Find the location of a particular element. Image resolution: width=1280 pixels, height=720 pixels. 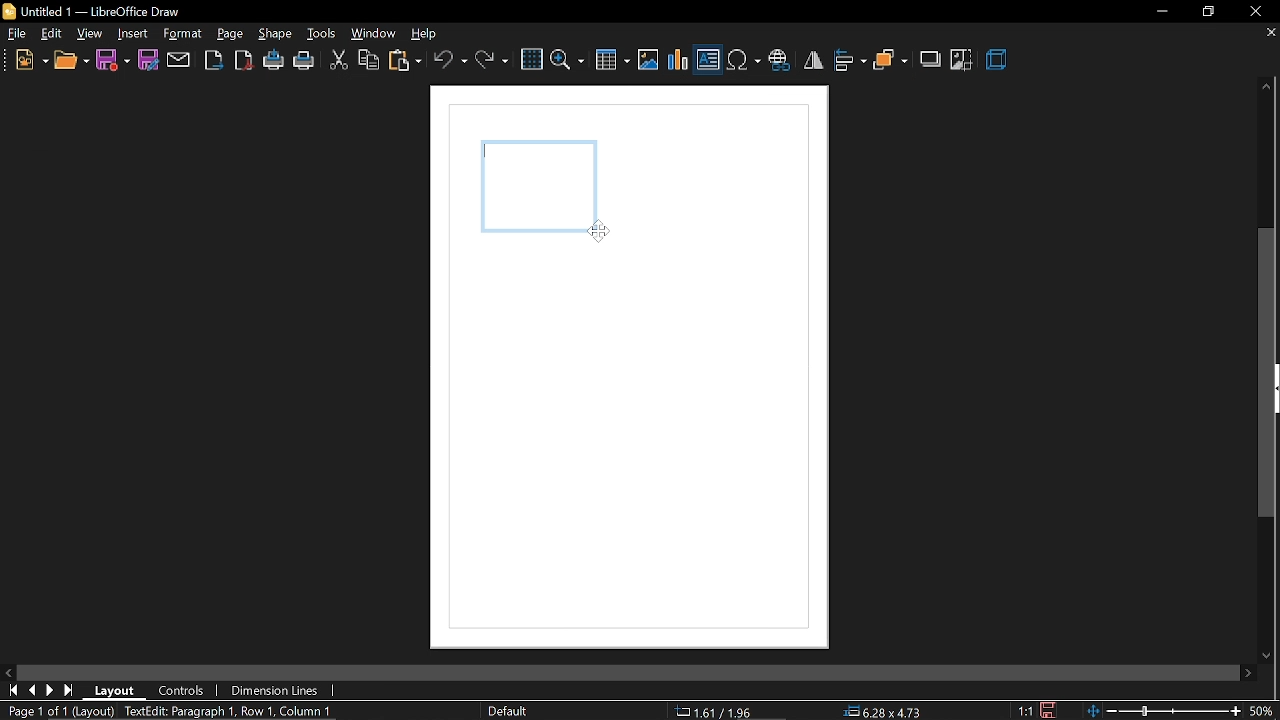

page is located at coordinates (230, 34).